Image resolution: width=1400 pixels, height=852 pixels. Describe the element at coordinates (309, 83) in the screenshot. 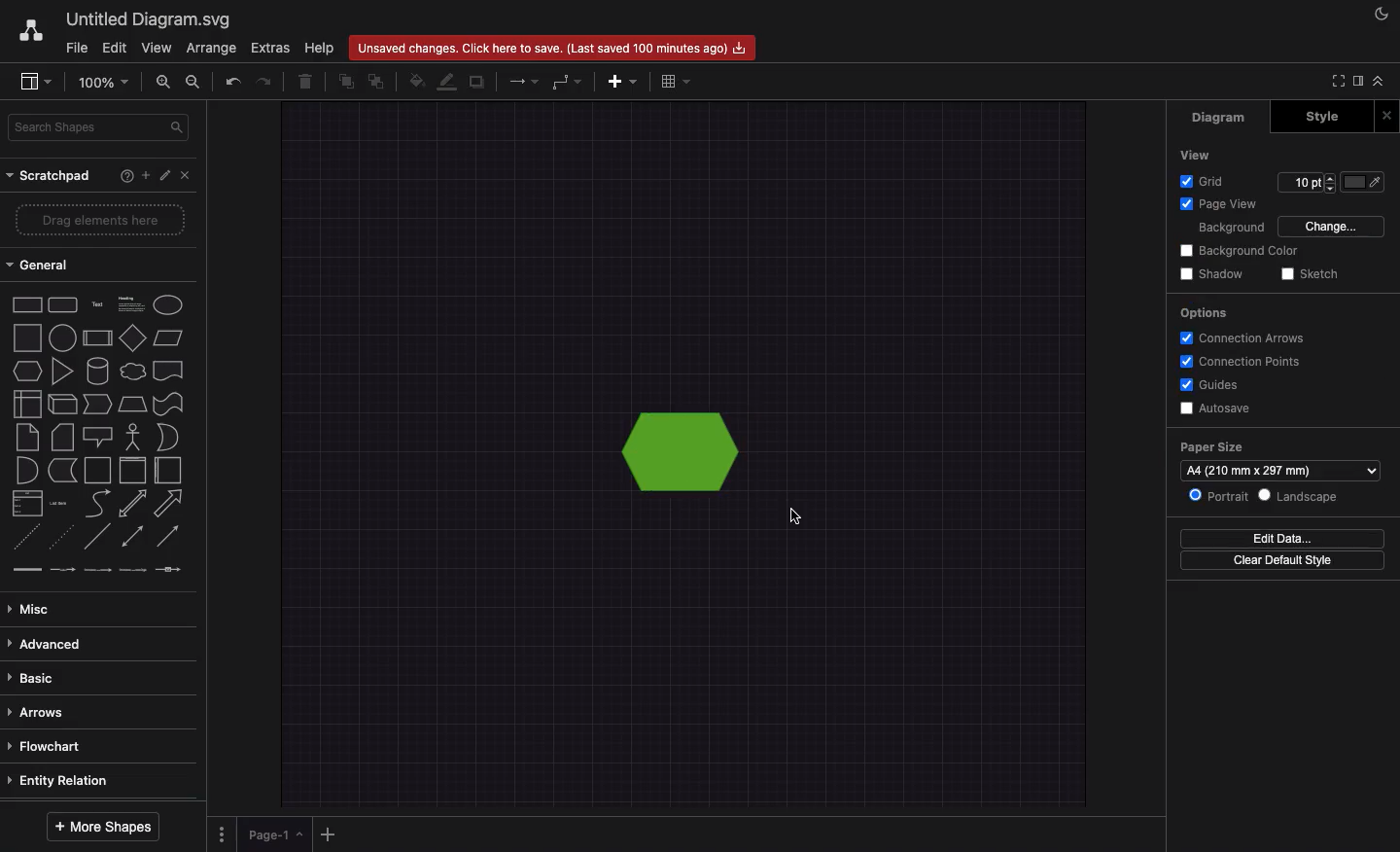

I see `Delete` at that location.